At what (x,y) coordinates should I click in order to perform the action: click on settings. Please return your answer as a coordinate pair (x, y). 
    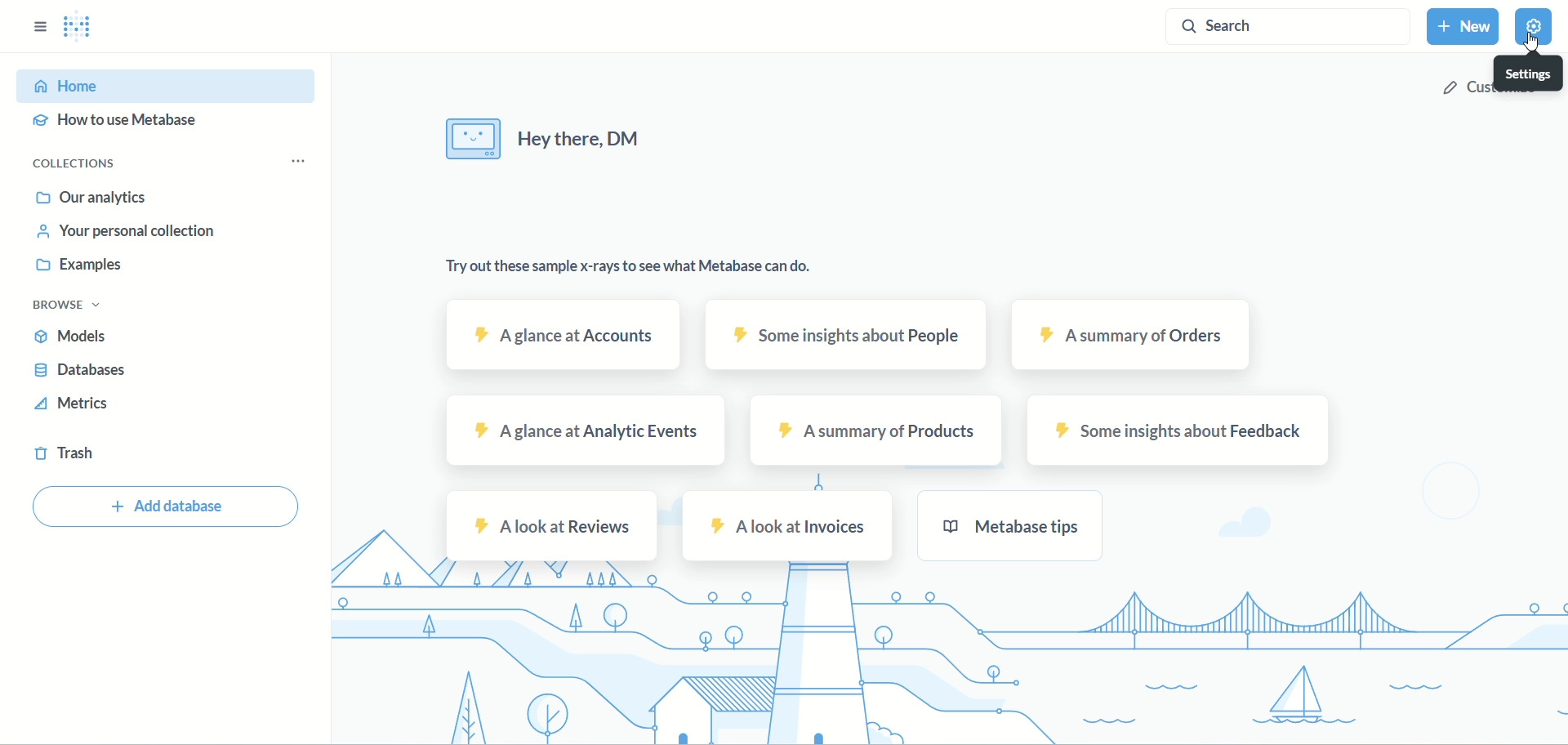
    Looking at the image, I should click on (1534, 70).